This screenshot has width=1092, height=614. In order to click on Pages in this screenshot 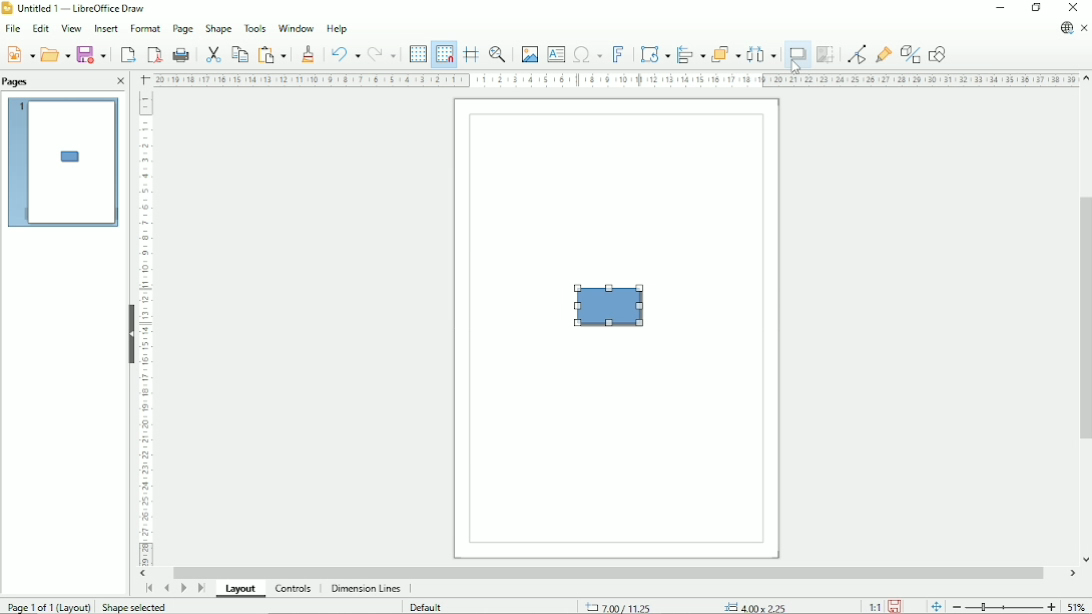, I will do `click(17, 81)`.